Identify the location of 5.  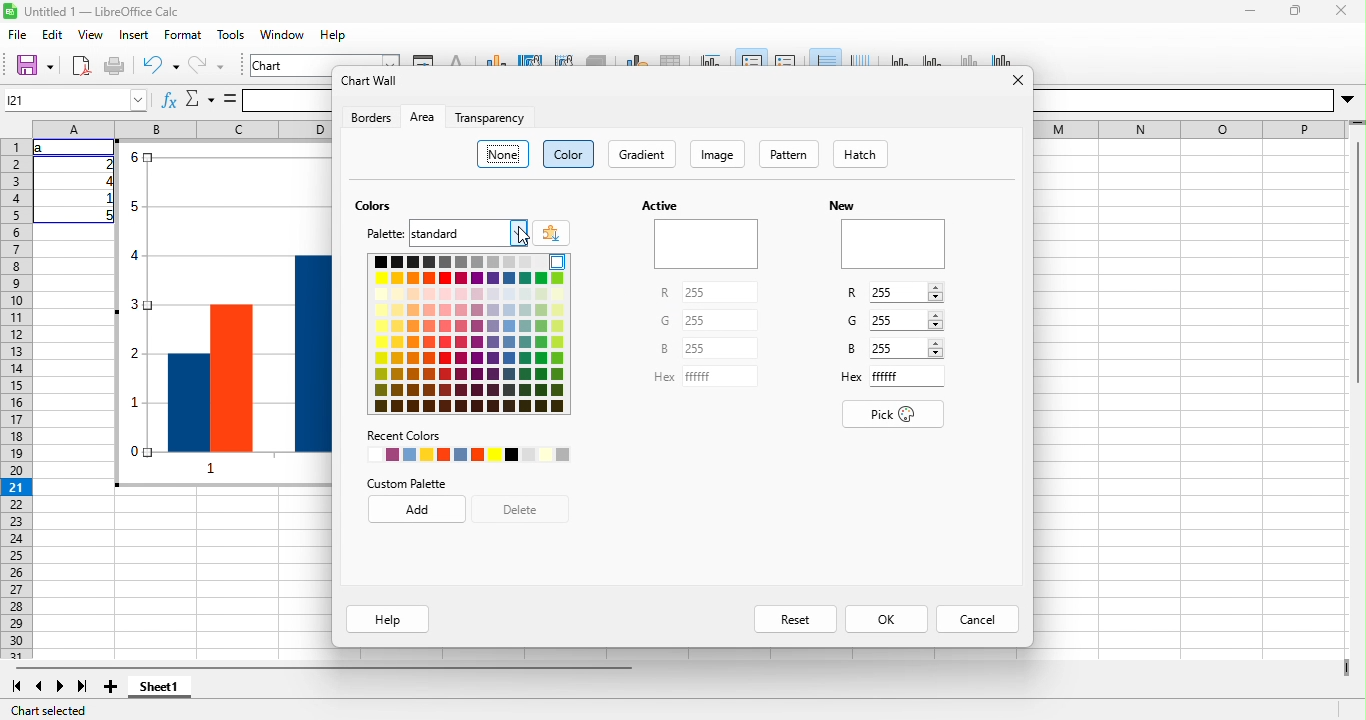
(106, 215).